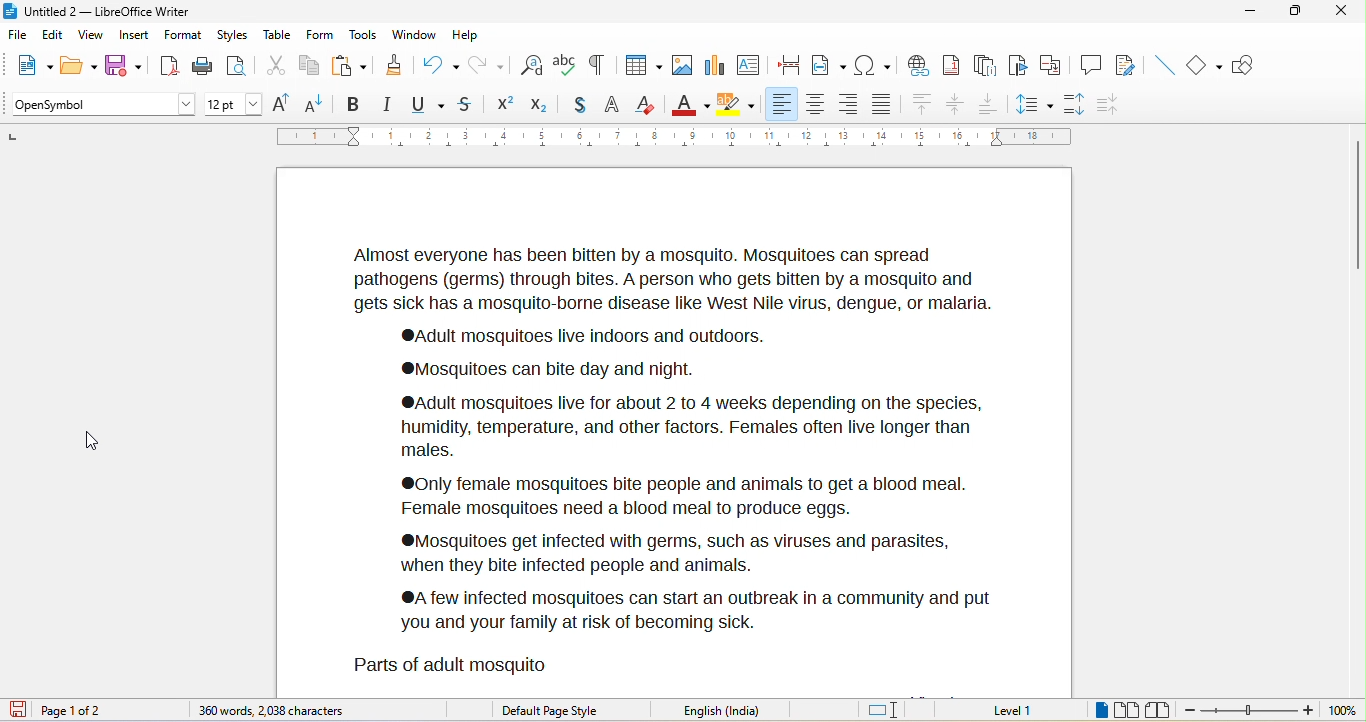  Describe the element at coordinates (955, 104) in the screenshot. I see `center vertically` at that location.